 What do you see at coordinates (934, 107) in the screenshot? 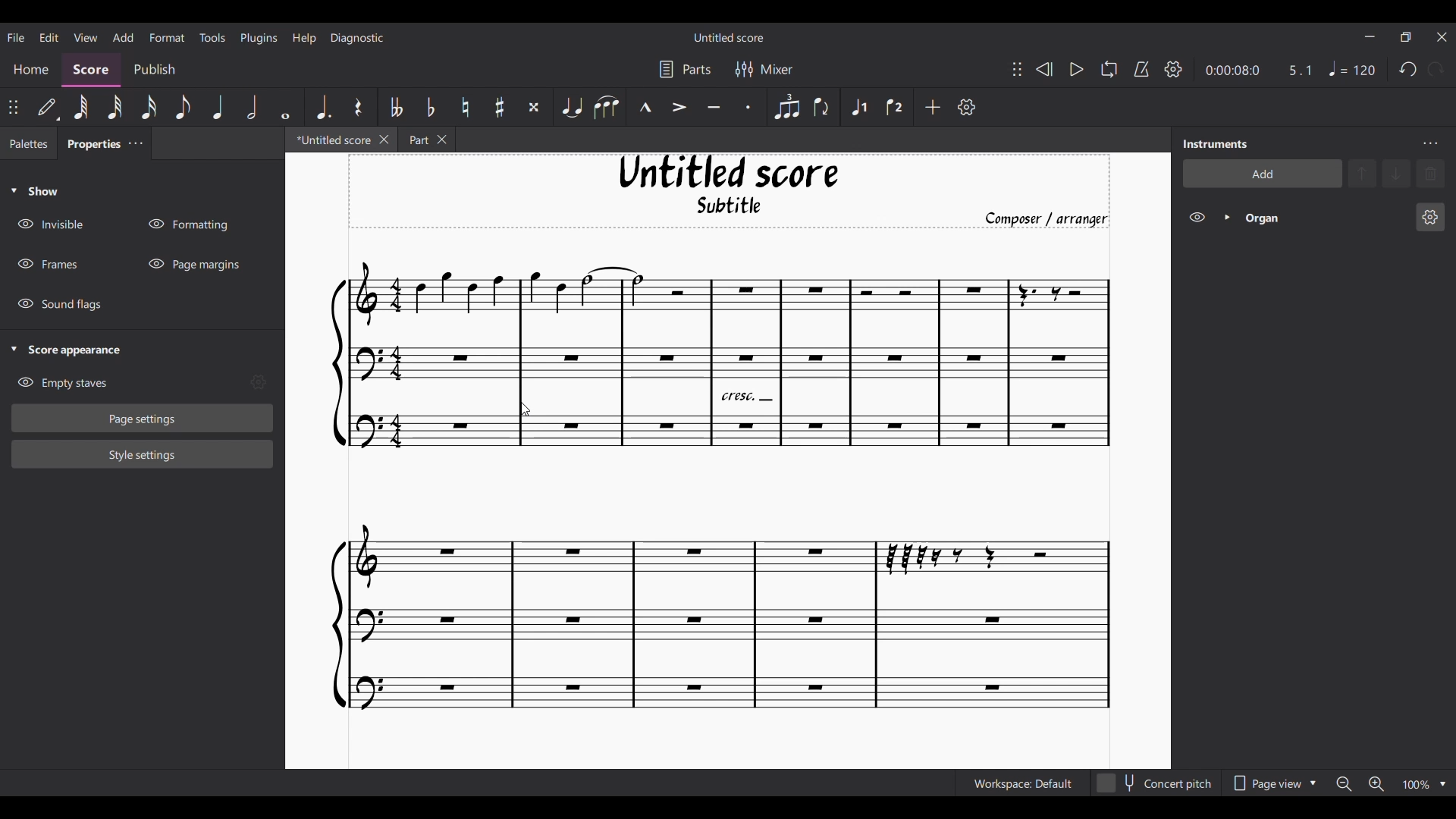
I see `Add` at bounding box center [934, 107].